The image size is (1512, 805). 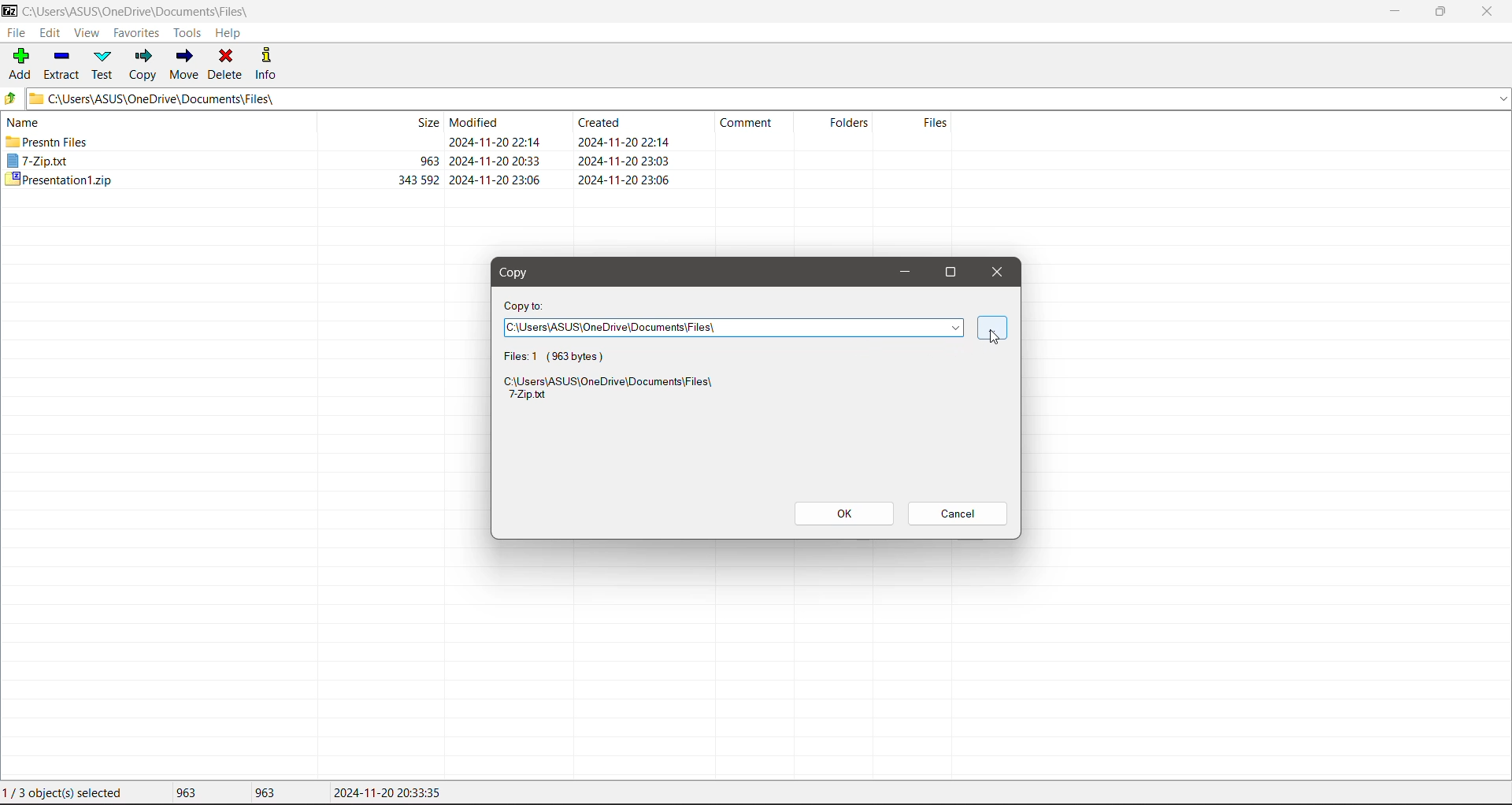 I want to click on Modified Date of the last file selected, so click(x=387, y=793).